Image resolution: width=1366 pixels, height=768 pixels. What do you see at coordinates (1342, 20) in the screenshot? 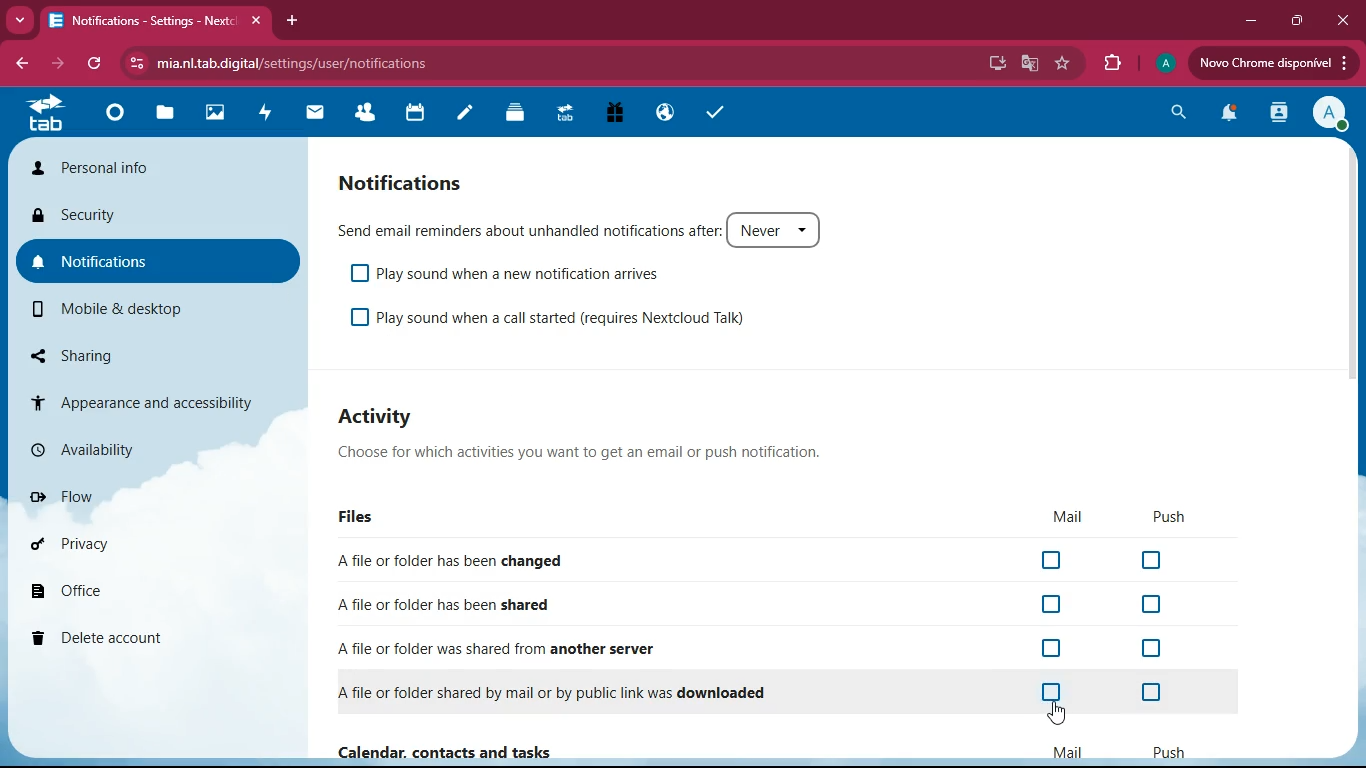
I see `close` at bounding box center [1342, 20].